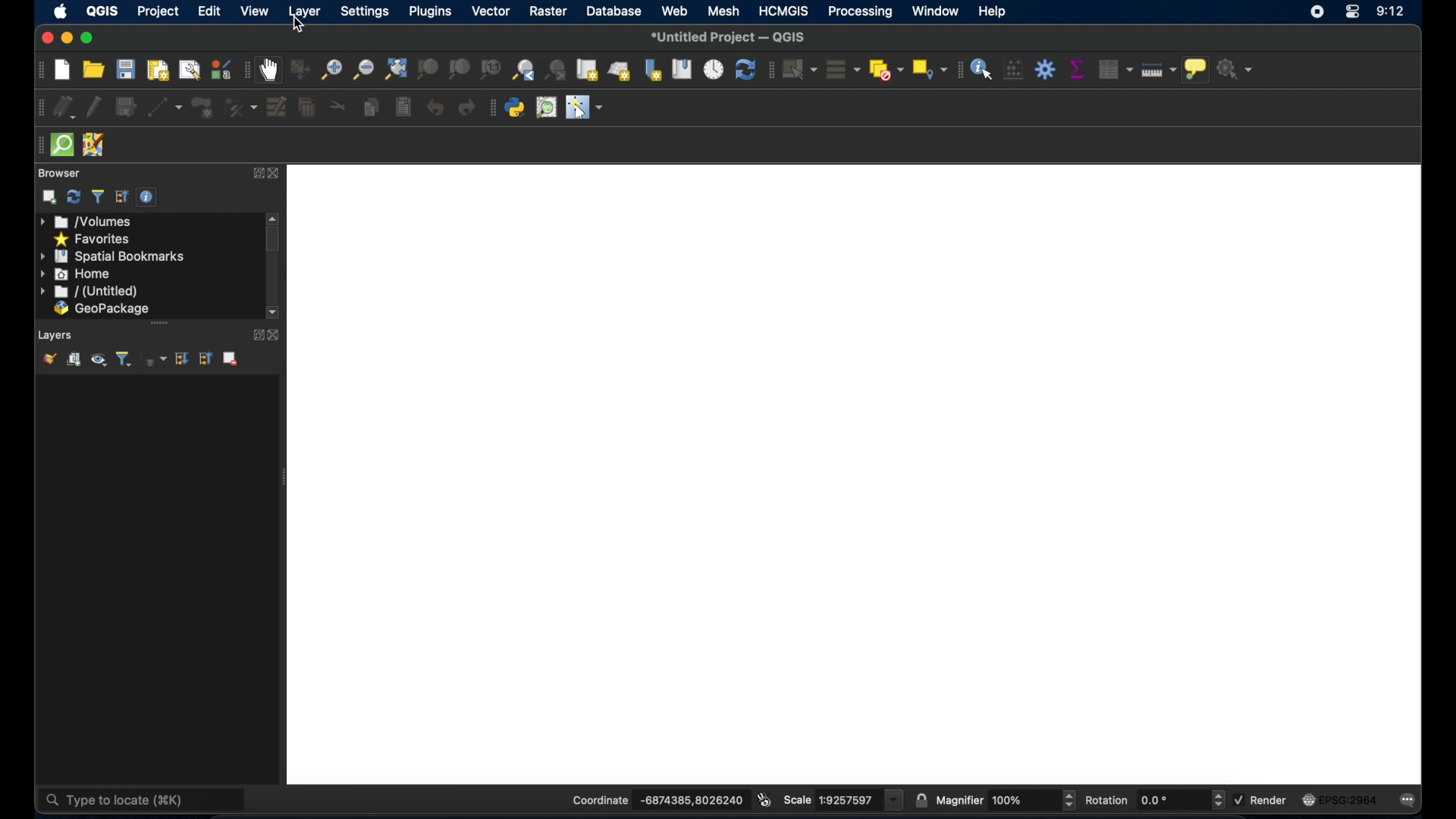  Describe the element at coordinates (467, 109) in the screenshot. I see `redo` at that location.